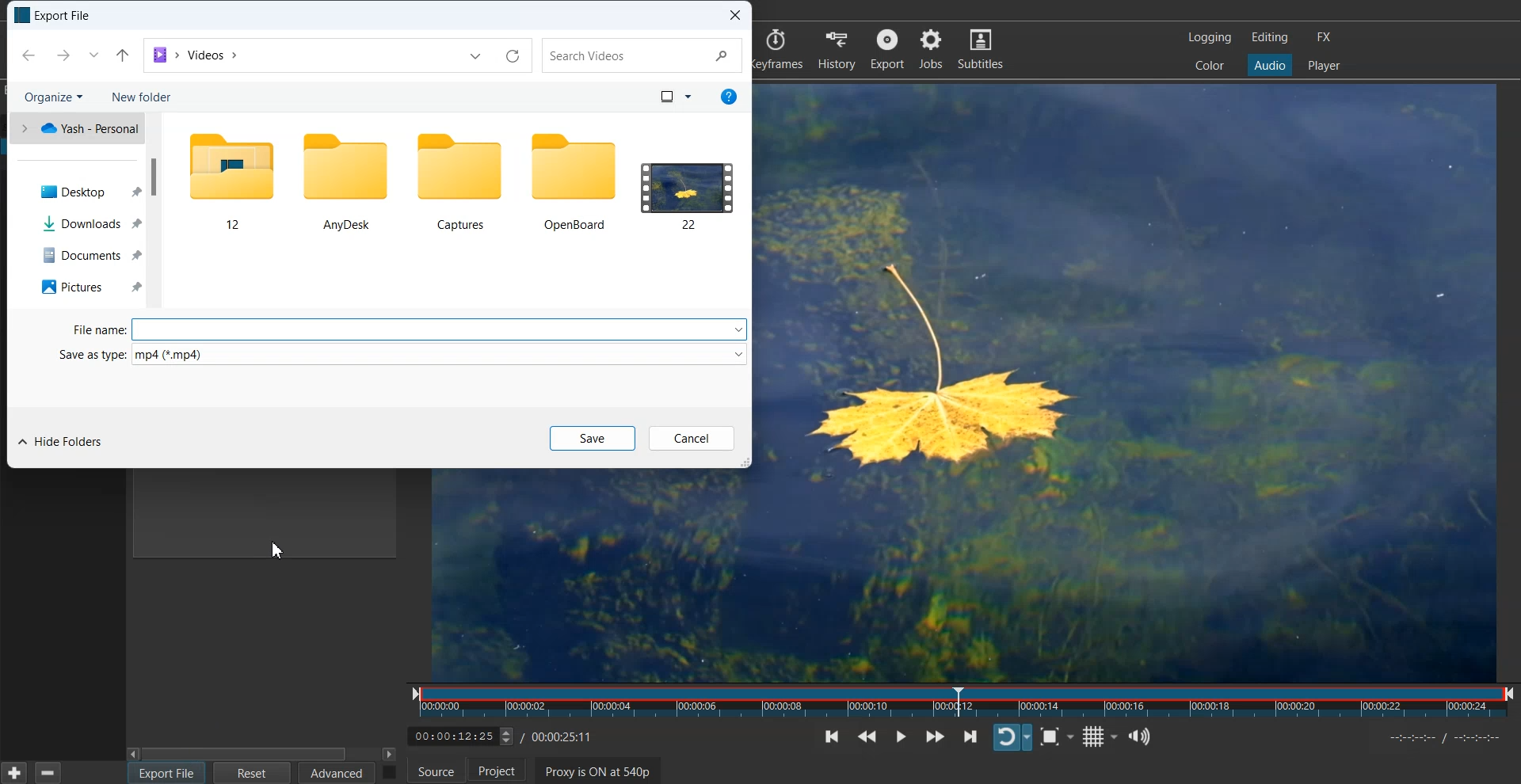 The width and height of the screenshot is (1521, 784). I want to click on Remove current selected preset setting, so click(47, 772).